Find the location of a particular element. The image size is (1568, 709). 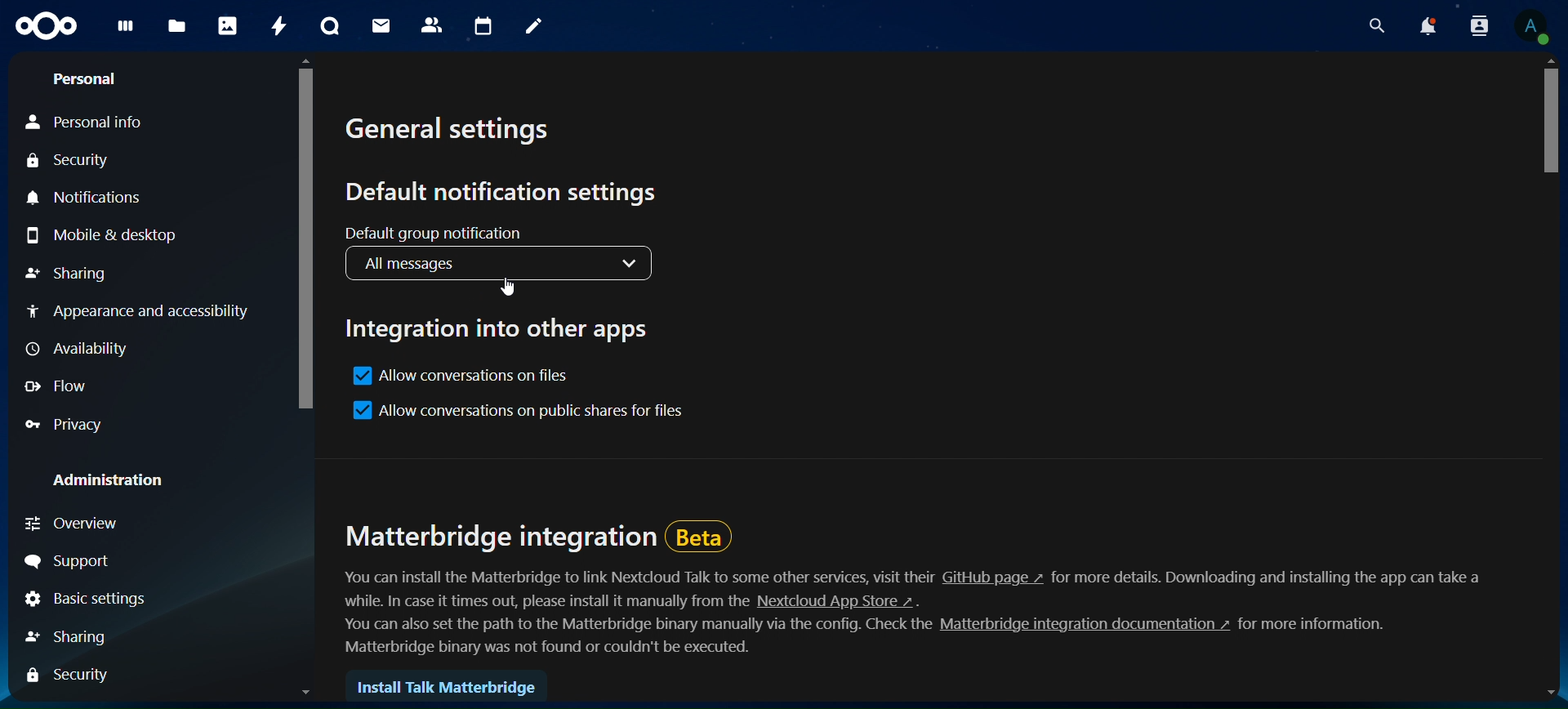

notifications is located at coordinates (91, 197).